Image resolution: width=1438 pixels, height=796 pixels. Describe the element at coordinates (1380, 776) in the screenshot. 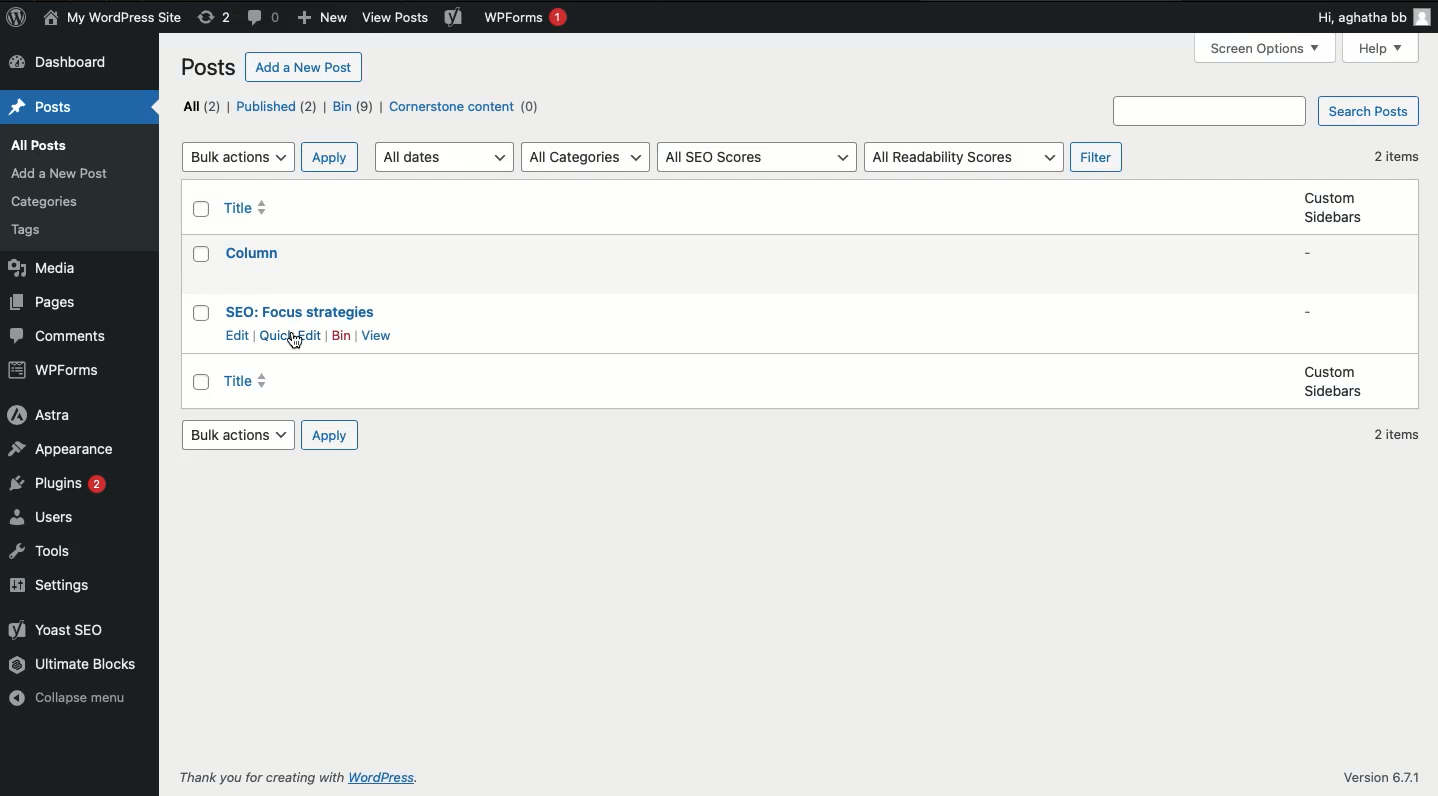

I see `Version 6.7.1` at that location.